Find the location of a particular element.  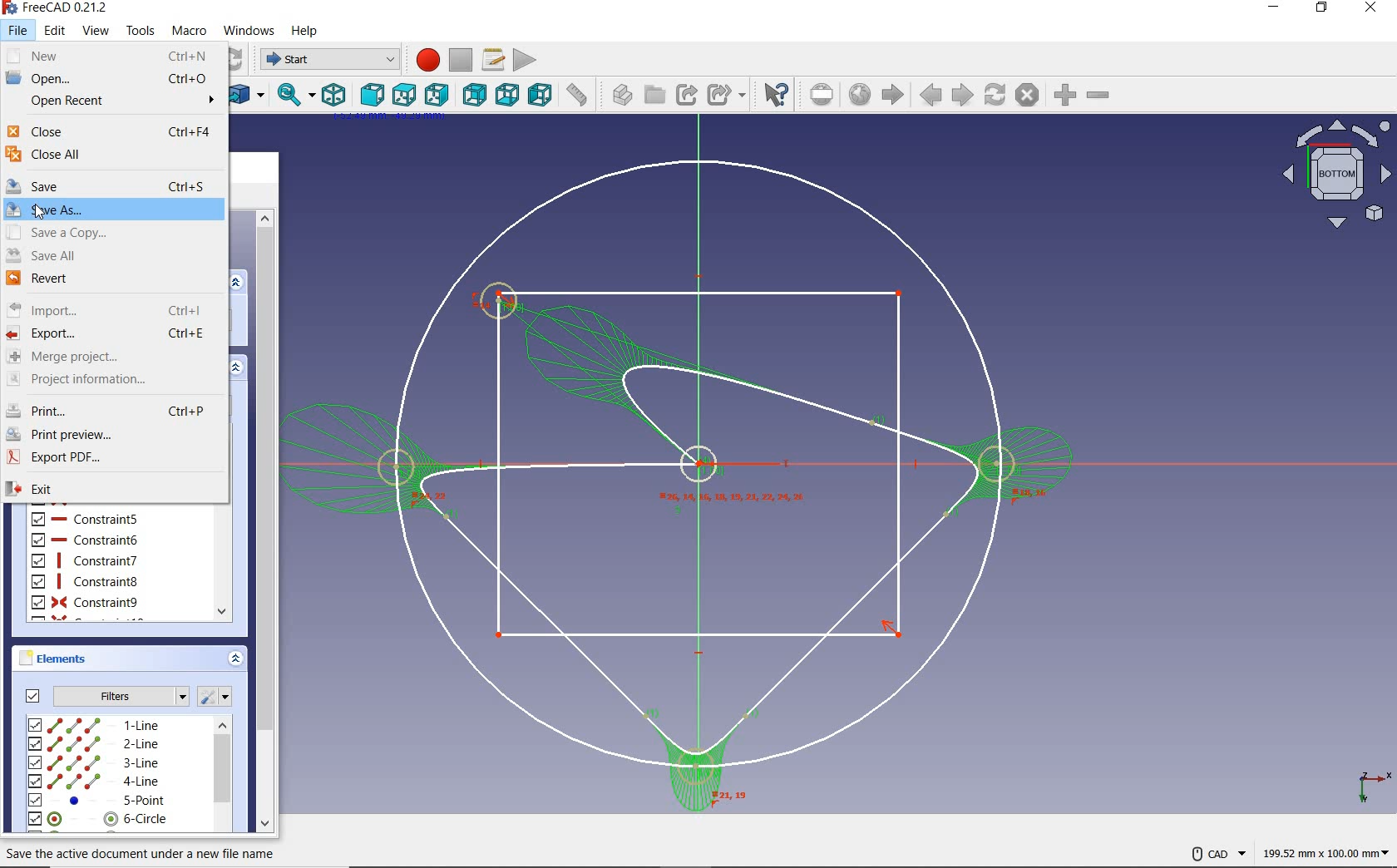

macros is located at coordinates (492, 60).